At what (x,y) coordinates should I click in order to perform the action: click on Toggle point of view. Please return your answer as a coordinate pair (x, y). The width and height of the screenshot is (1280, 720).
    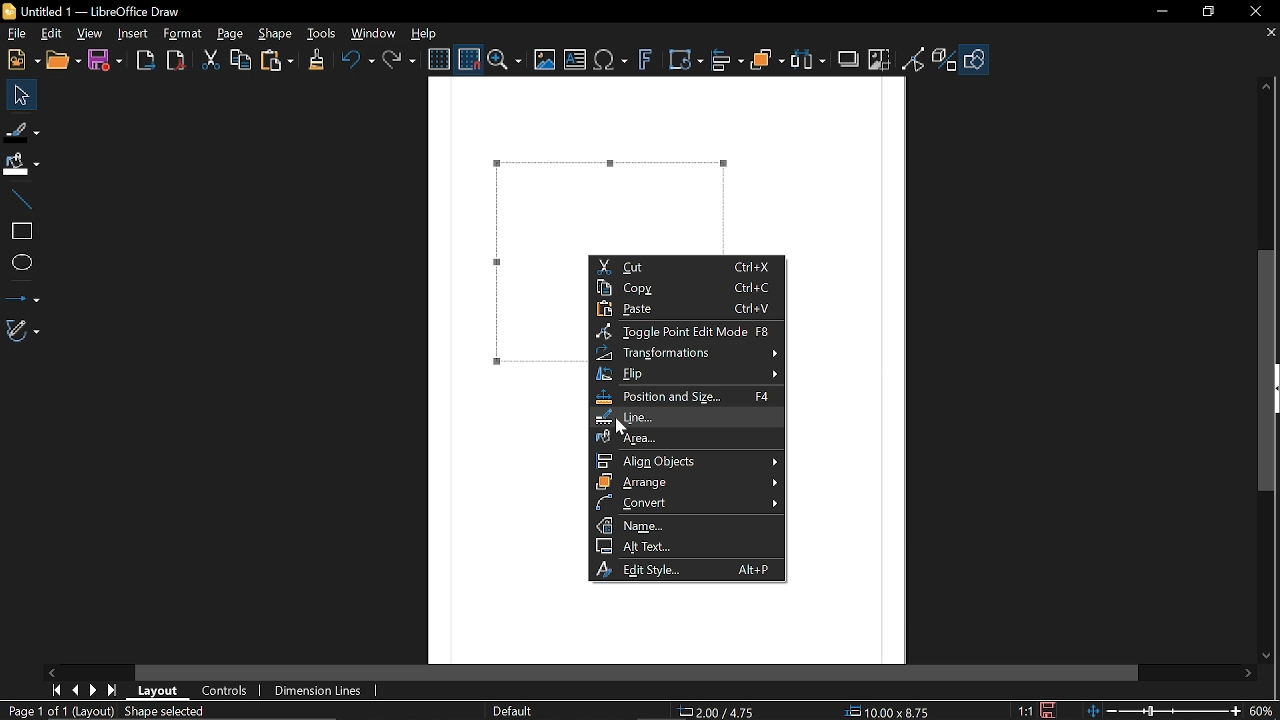
    Looking at the image, I should click on (914, 60).